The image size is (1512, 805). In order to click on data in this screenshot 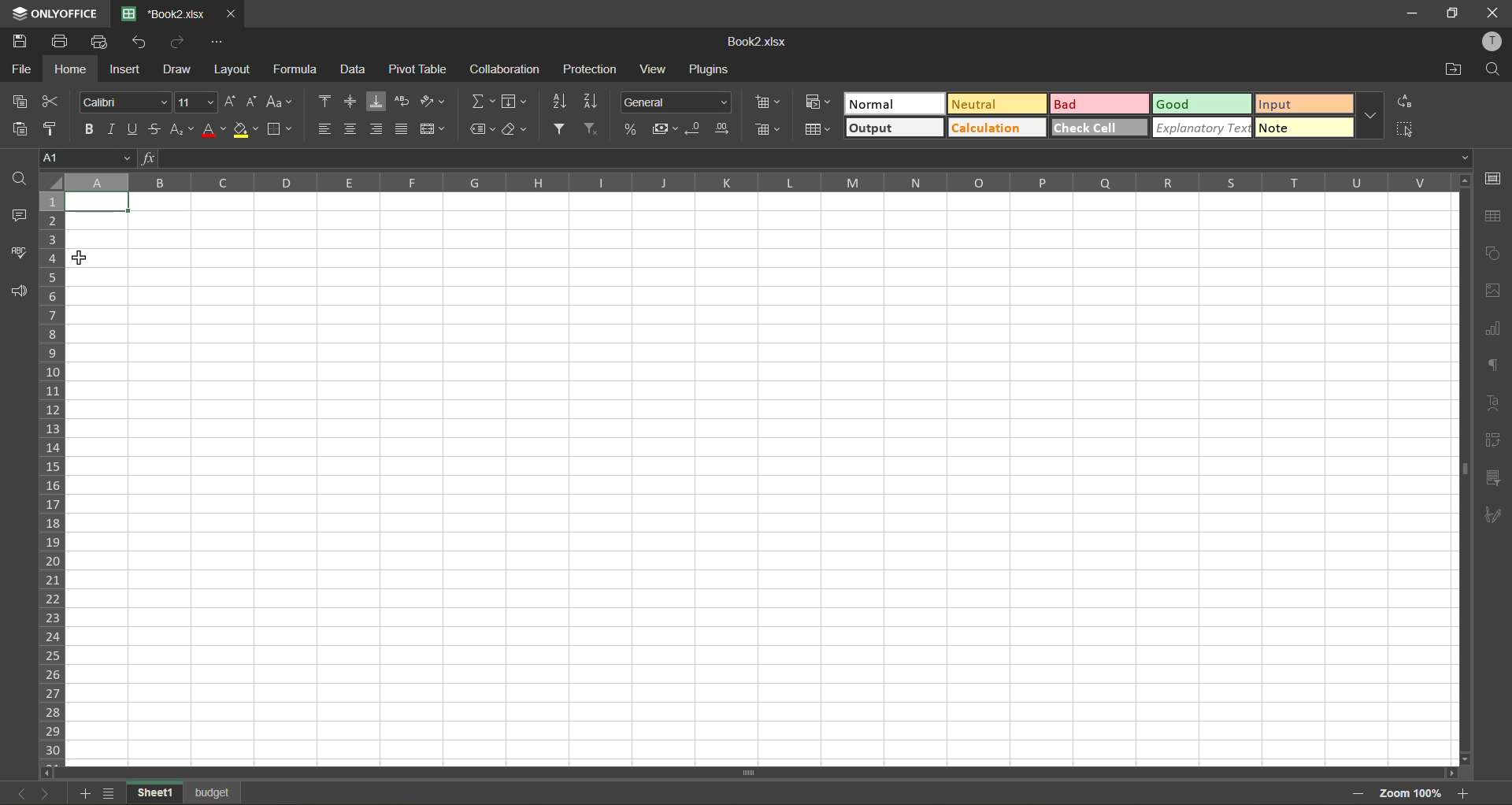, I will do `click(353, 72)`.